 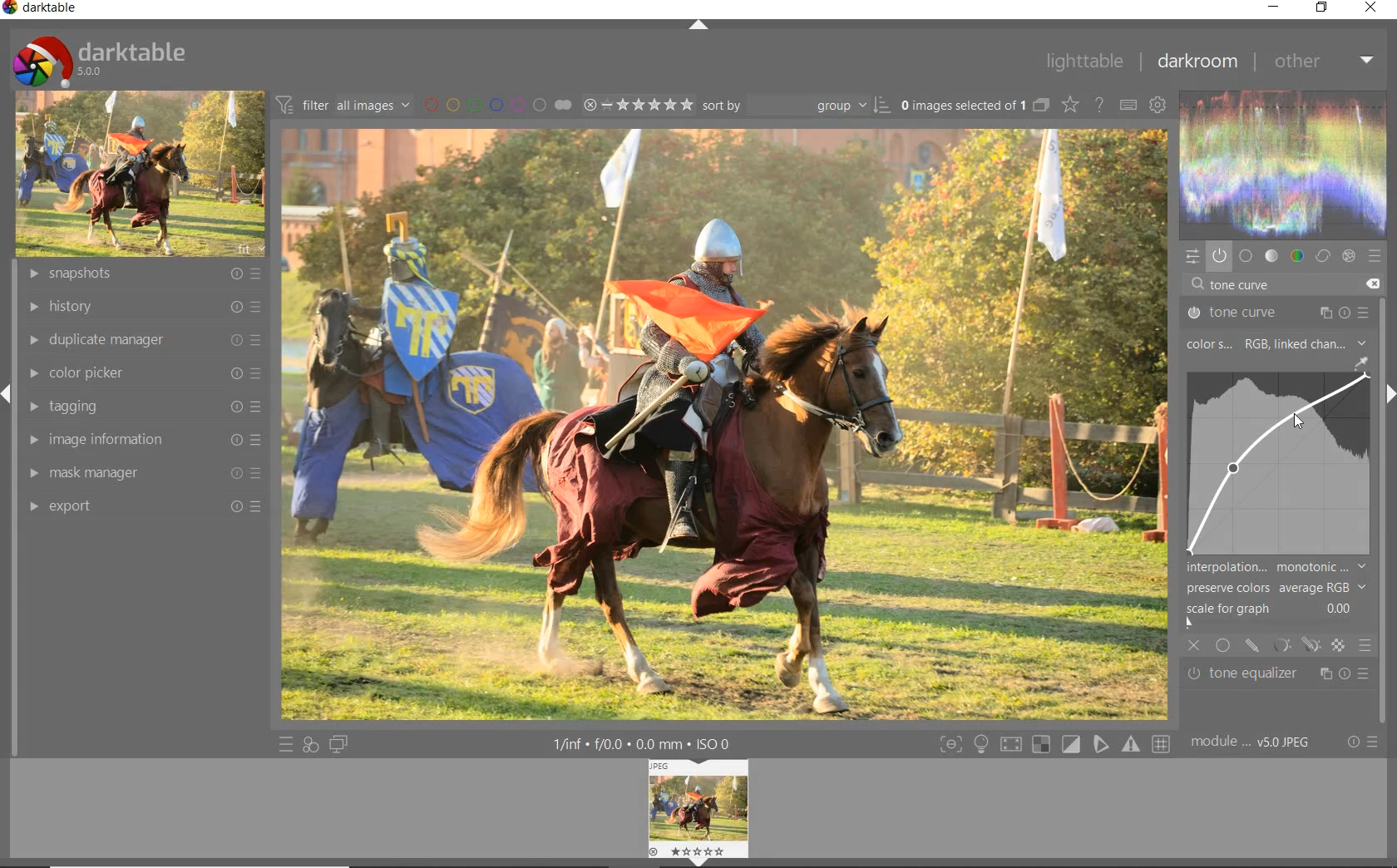 I want to click on quick access for applying any of your styles, so click(x=309, y=745).